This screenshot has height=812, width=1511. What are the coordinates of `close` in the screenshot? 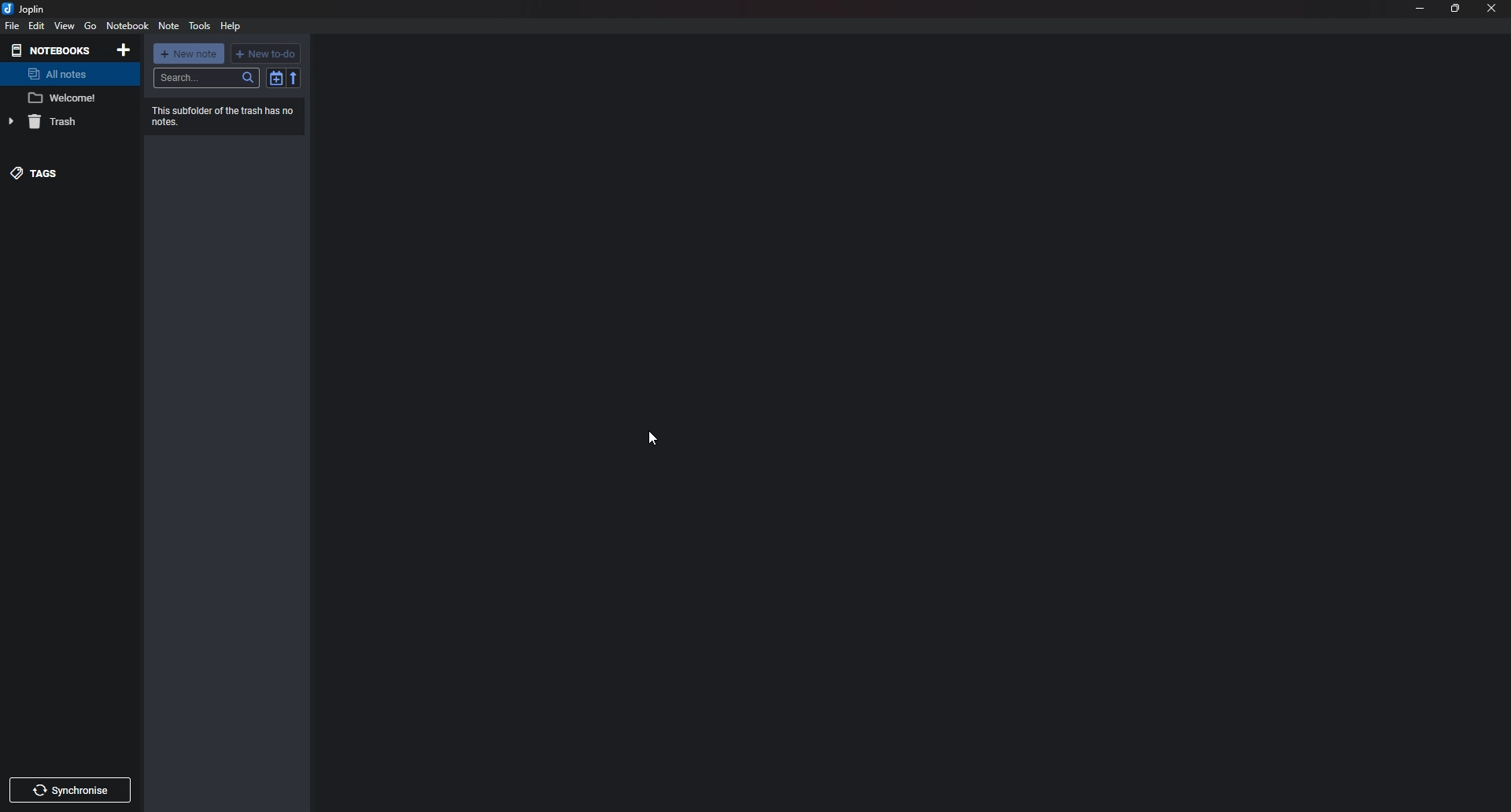 It's located at (1491, 9).